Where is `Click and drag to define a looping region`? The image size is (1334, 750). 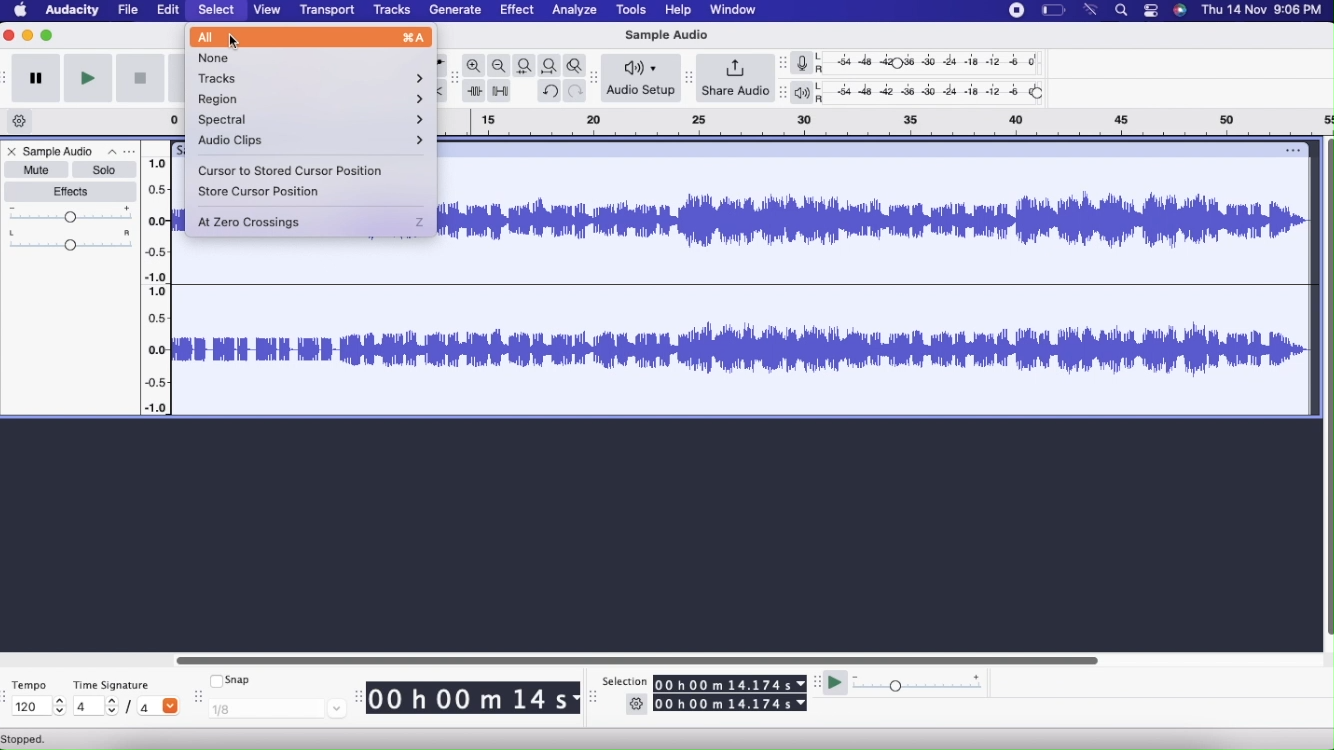 Click and drag to define a looping region is located at coordinates (882, 123).